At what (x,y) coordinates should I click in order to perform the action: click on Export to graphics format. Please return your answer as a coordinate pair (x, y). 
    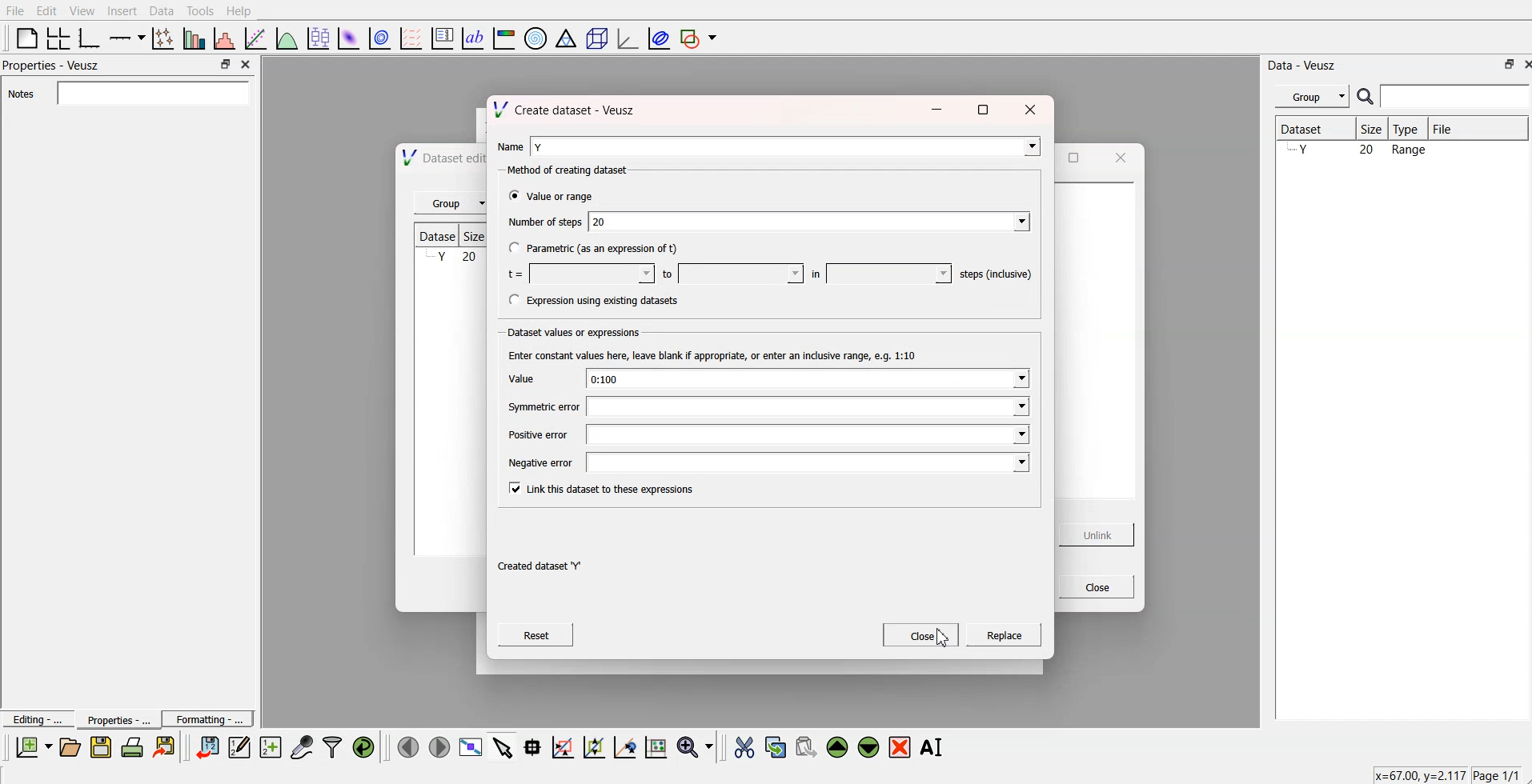
    Looking at the image, I should click on (167, 748).